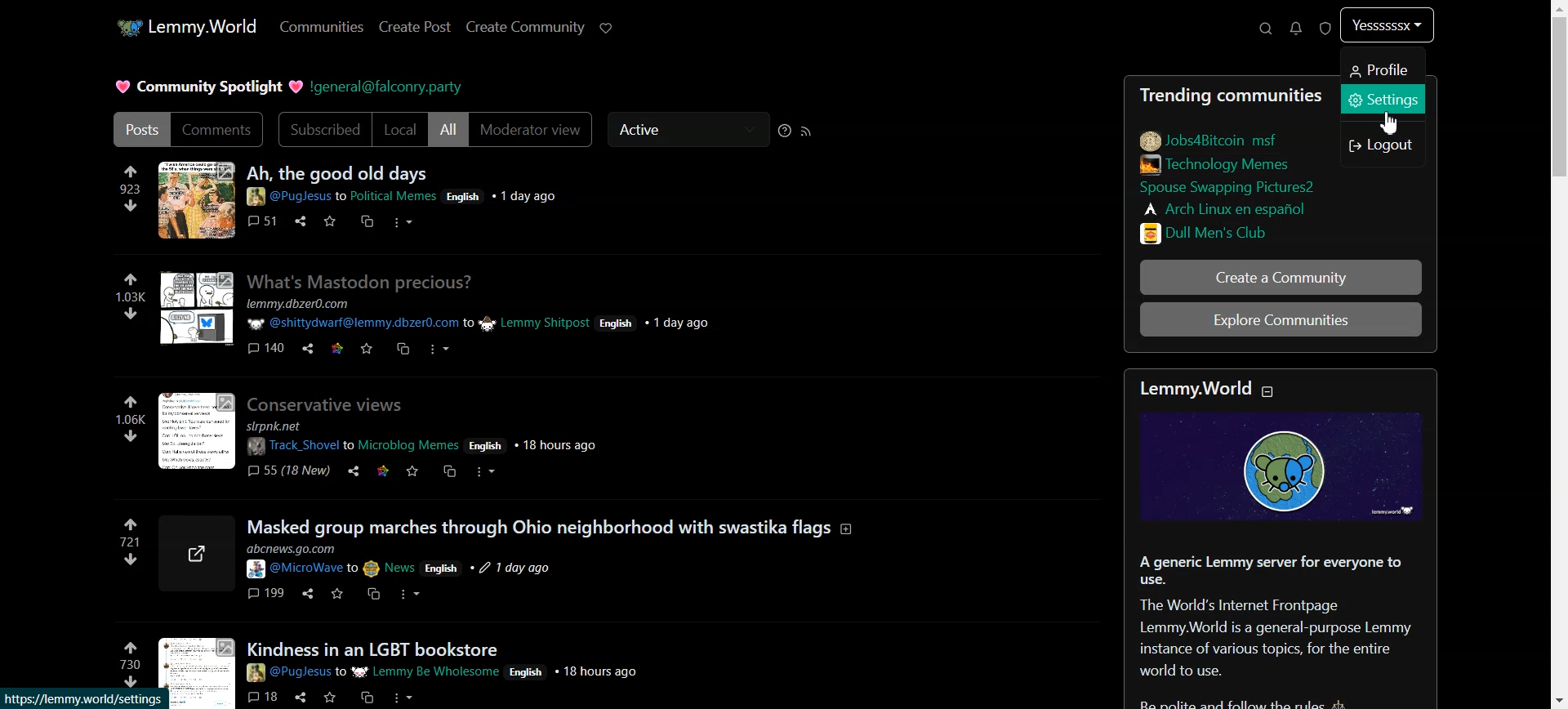  Describe the element at coordinates (452, 194) in the screenshot. I see `post details` at that location.